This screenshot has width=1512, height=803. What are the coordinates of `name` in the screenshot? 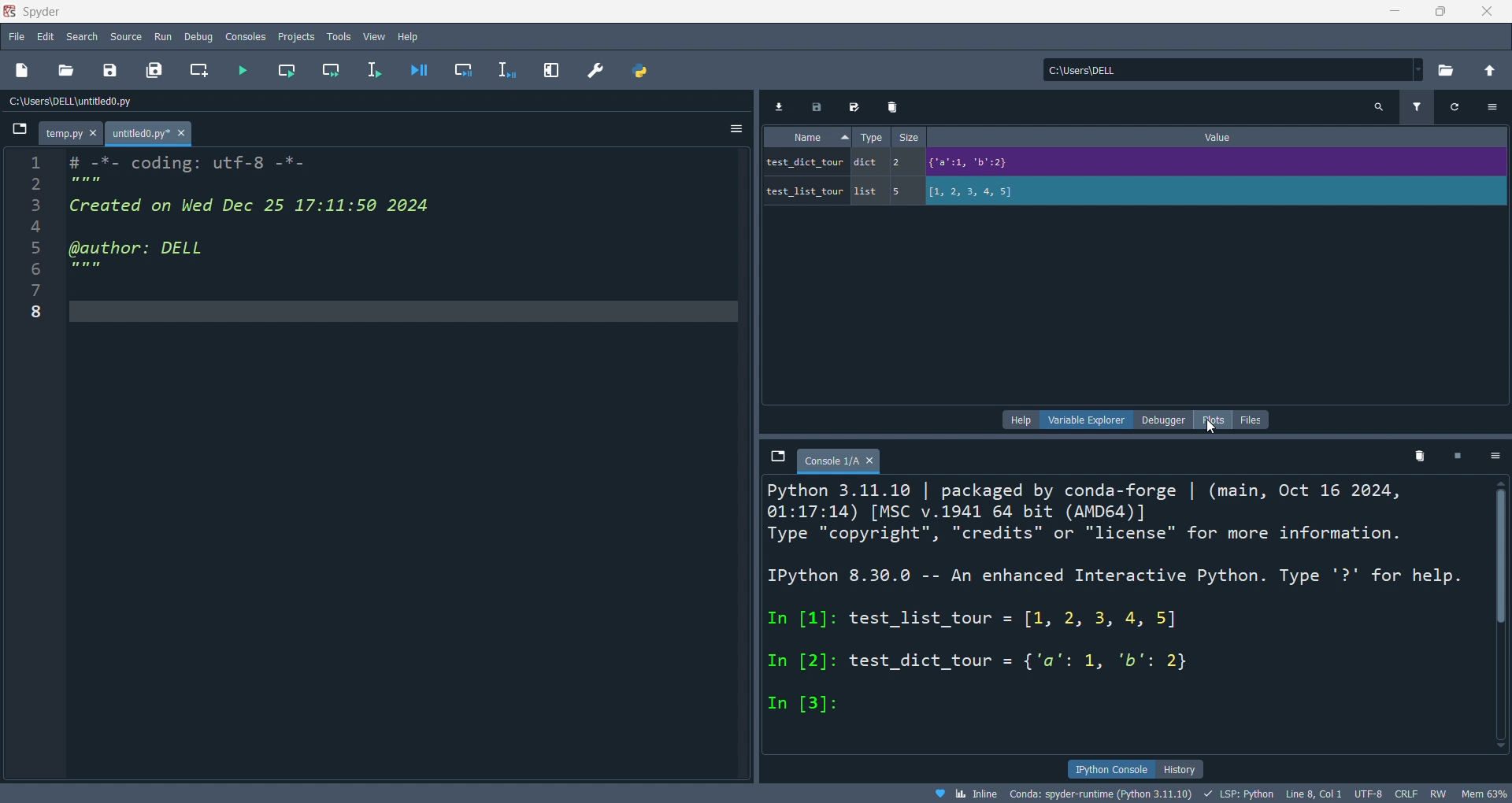 It's located at (806, 136).